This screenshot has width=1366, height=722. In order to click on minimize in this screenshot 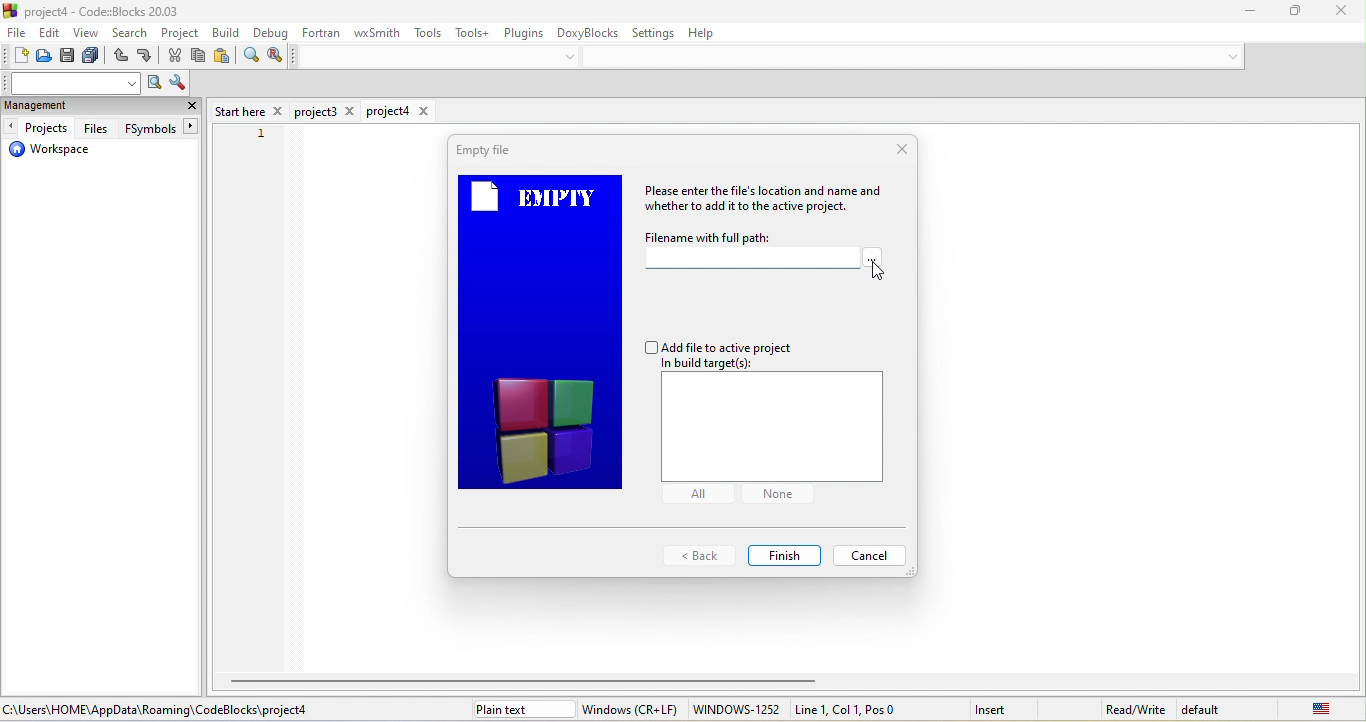, I will do `click(1240, 12)`.